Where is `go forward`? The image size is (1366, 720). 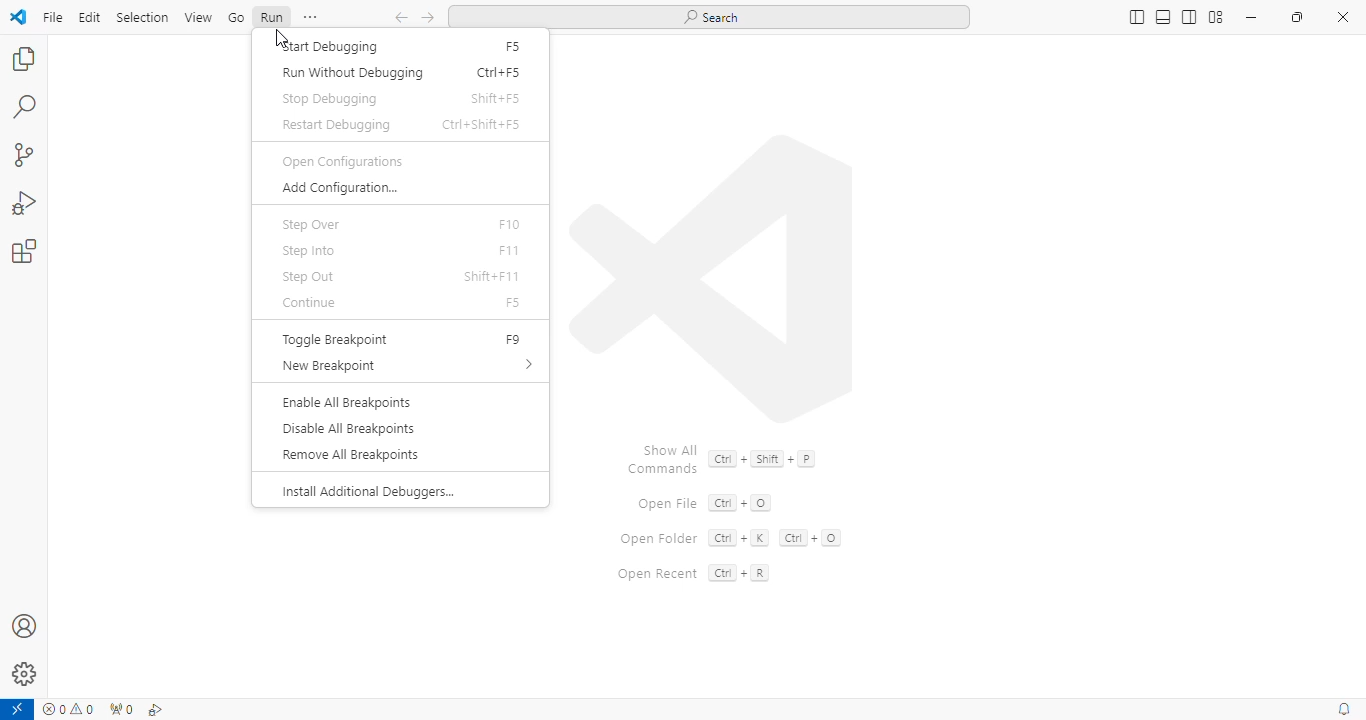
go forward is located at coordinates (428, 18).